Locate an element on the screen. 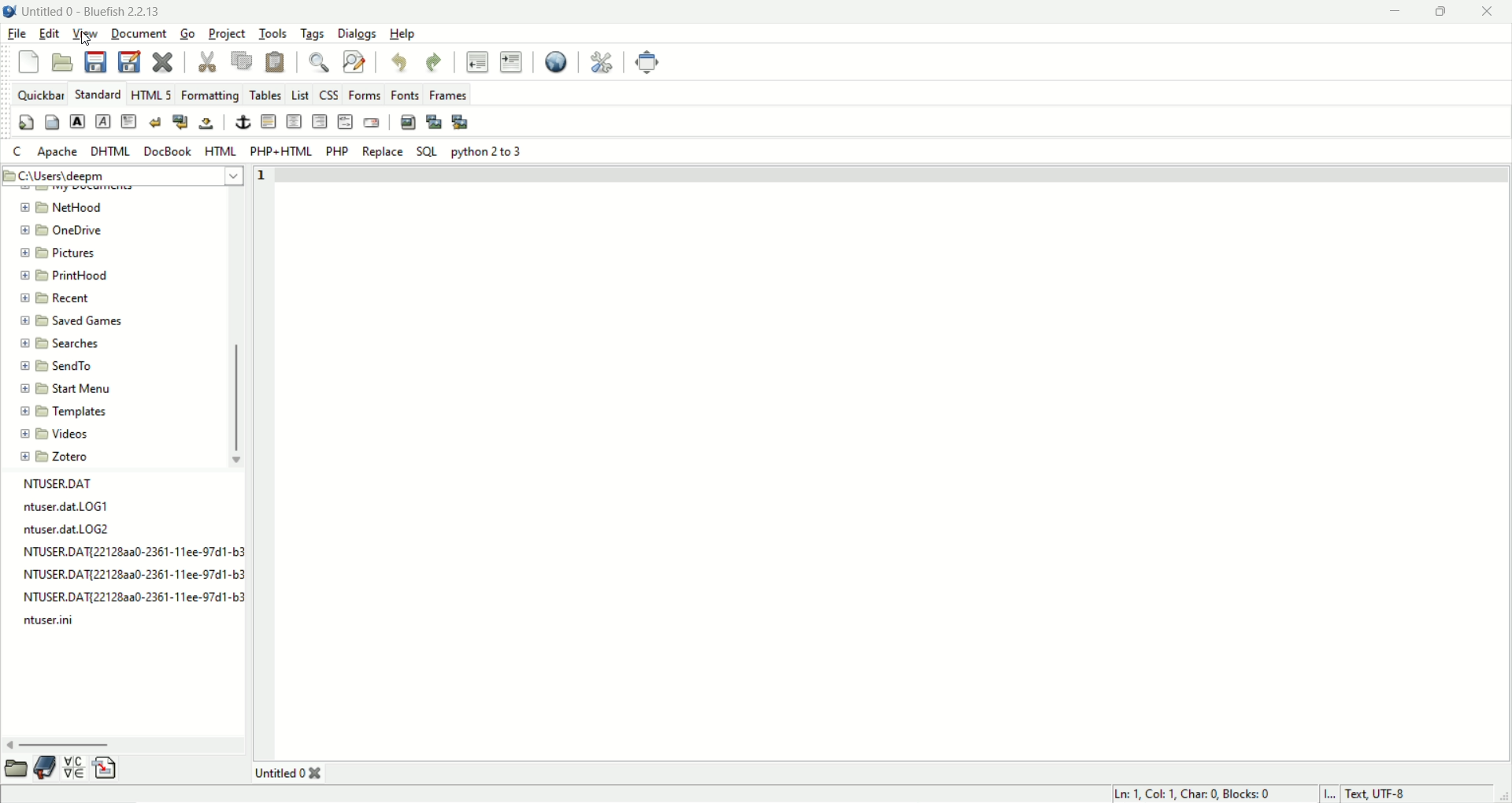  DOCBOOK is located at coordinates (169, 154).